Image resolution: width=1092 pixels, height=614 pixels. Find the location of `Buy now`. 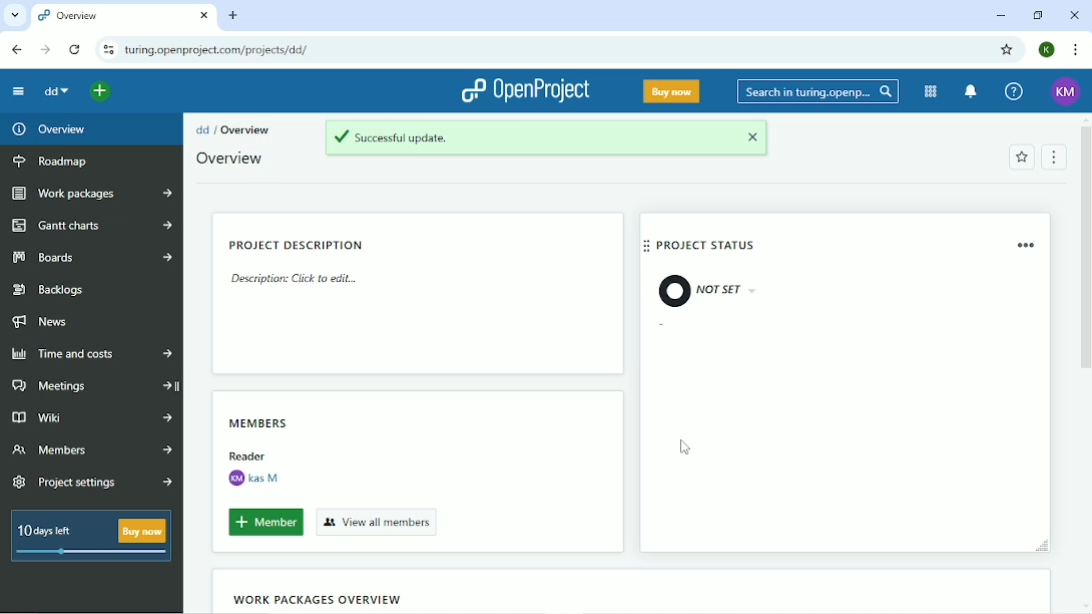

Buy now is located at coordinates (672, 92).